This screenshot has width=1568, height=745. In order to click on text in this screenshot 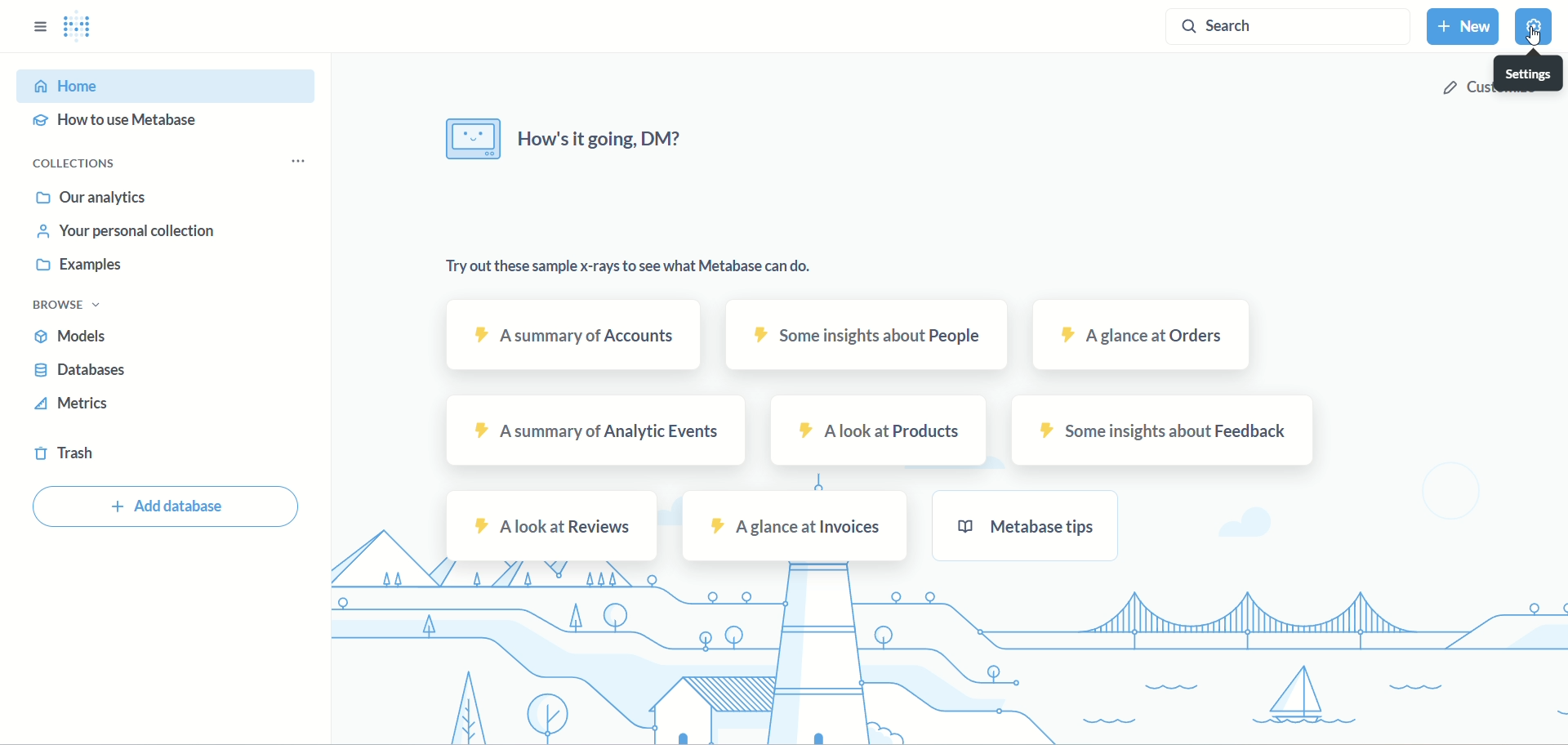, I will do `click(559, 138)`.